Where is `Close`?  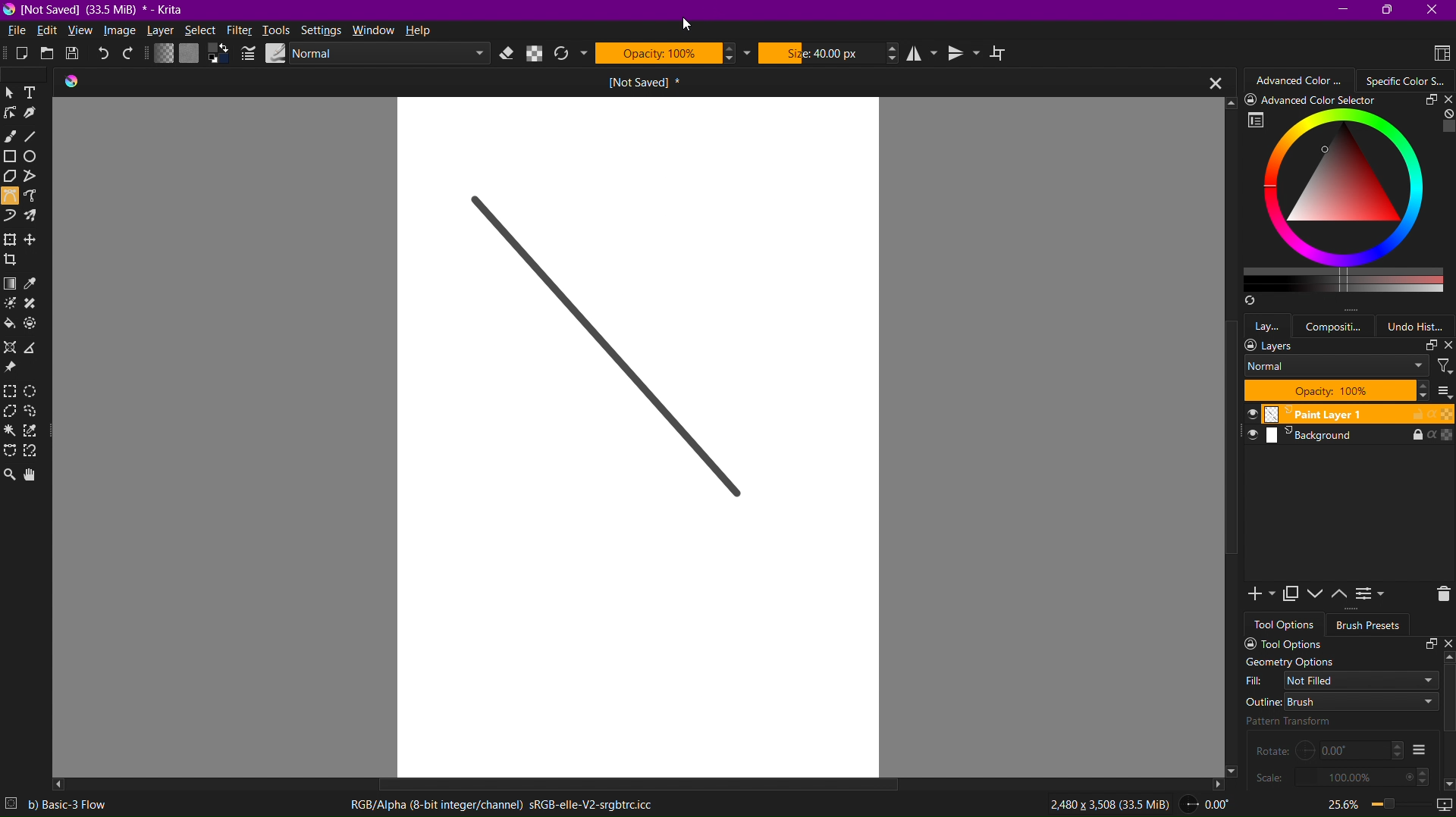 Close is located at coordinates (1435, 10).